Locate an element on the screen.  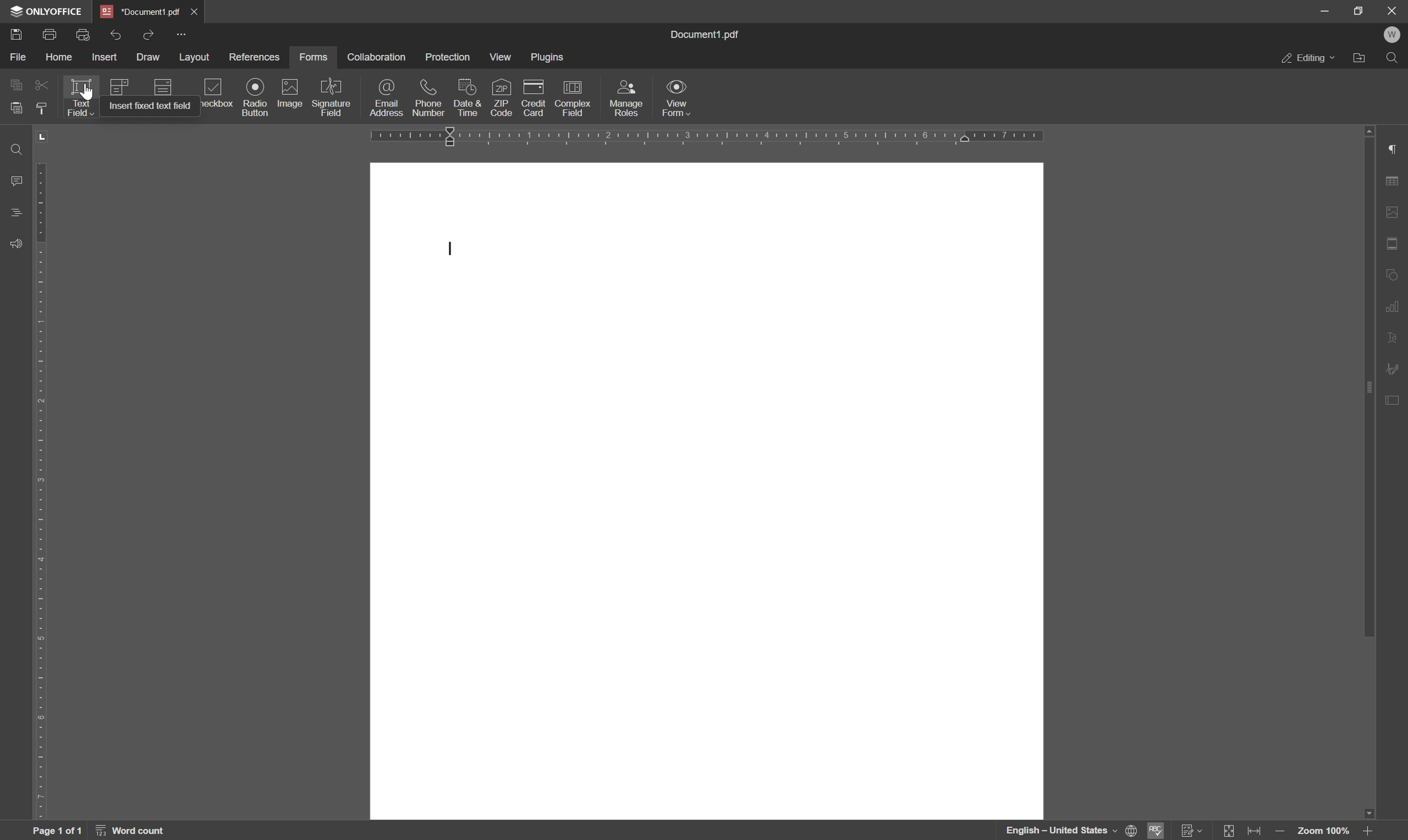
view is located at coordinates (502, 58).